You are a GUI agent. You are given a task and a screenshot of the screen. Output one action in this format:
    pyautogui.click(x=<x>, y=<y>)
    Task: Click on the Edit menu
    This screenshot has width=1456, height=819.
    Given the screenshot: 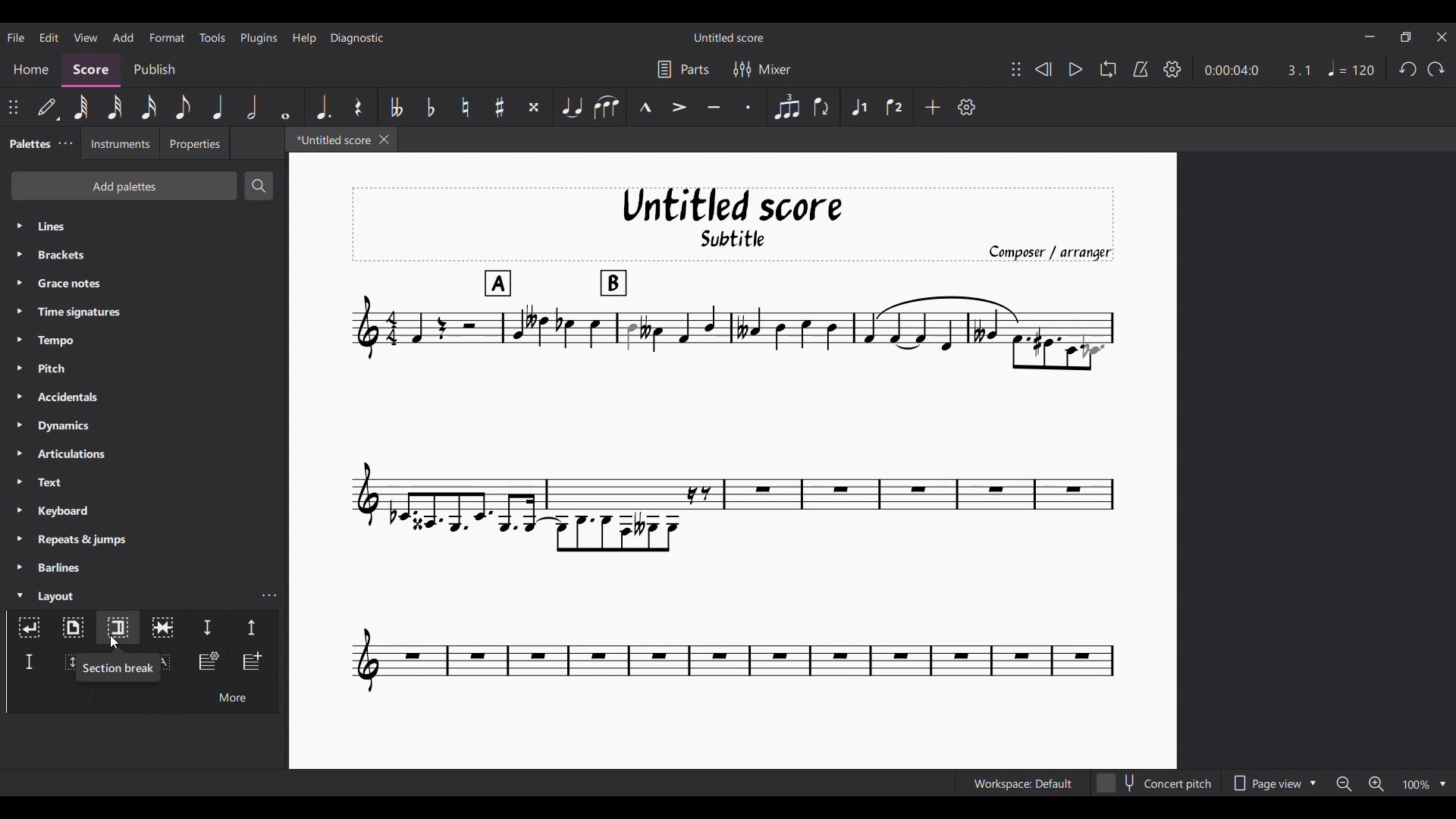 What is the action you would take?
    pyautogui.click(x=49, y=38)
    